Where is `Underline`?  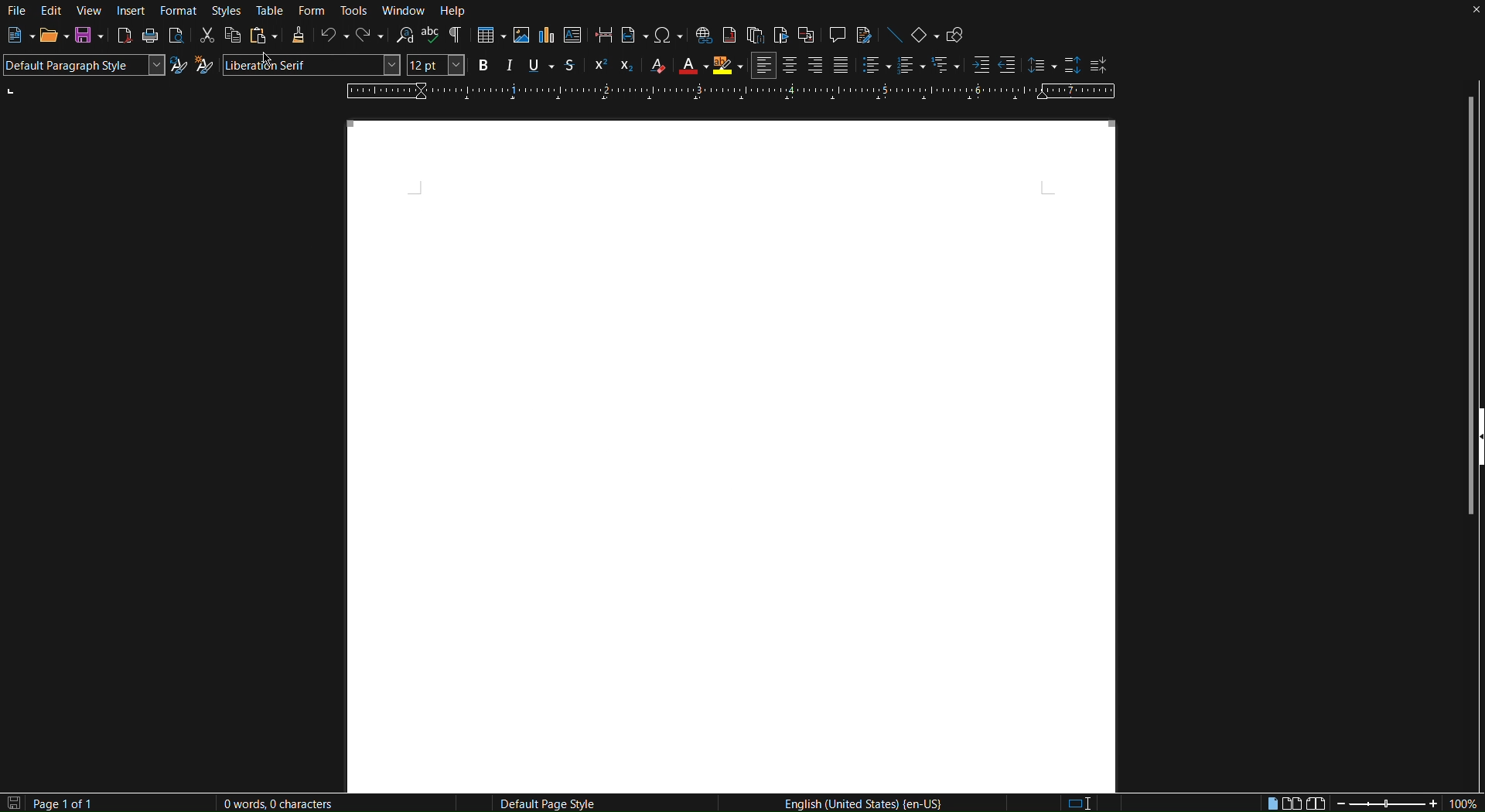 Underline is located at coordinates (540, 65).